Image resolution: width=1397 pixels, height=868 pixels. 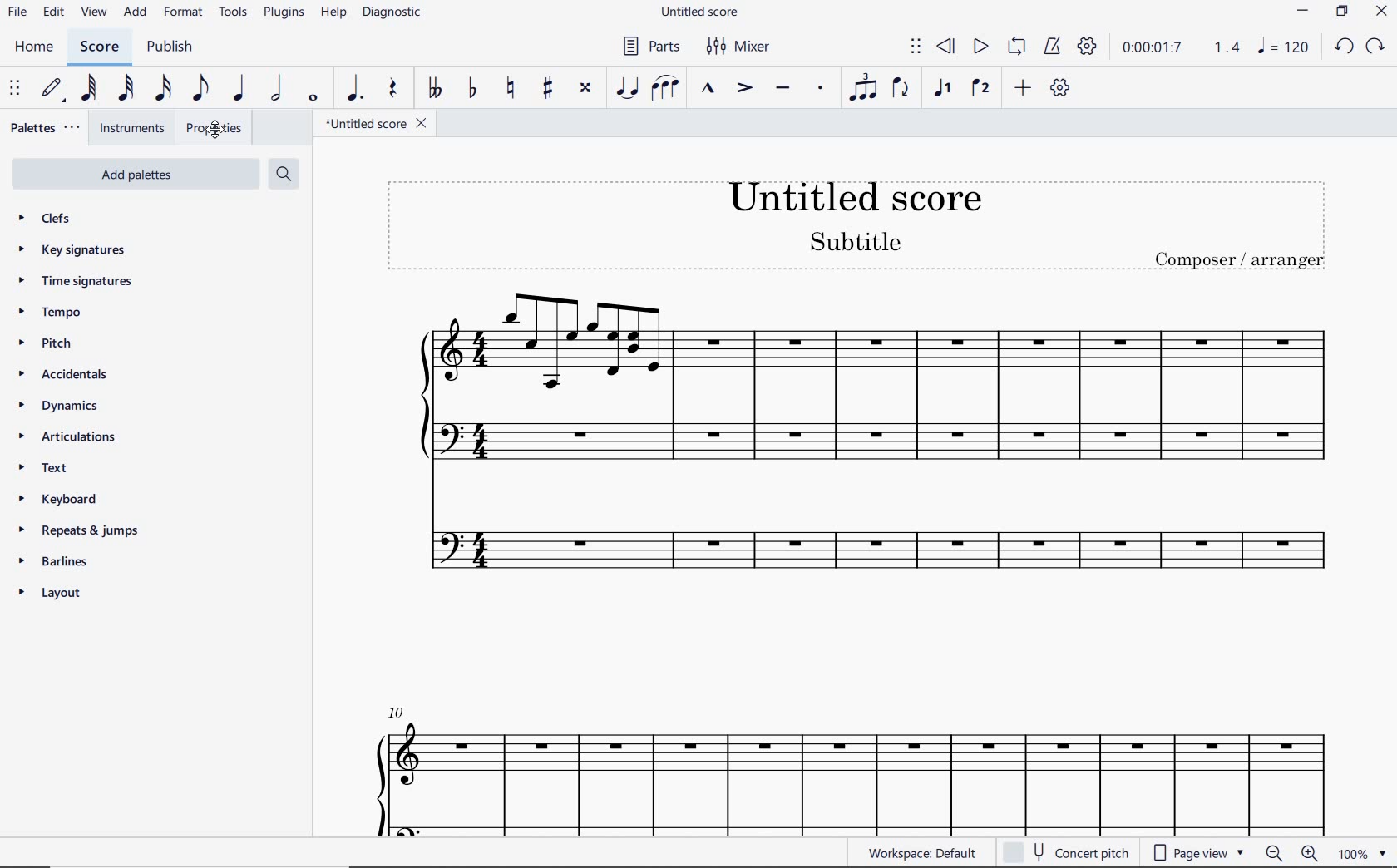 I want to click on search palettes, so click(x=282, y=174).